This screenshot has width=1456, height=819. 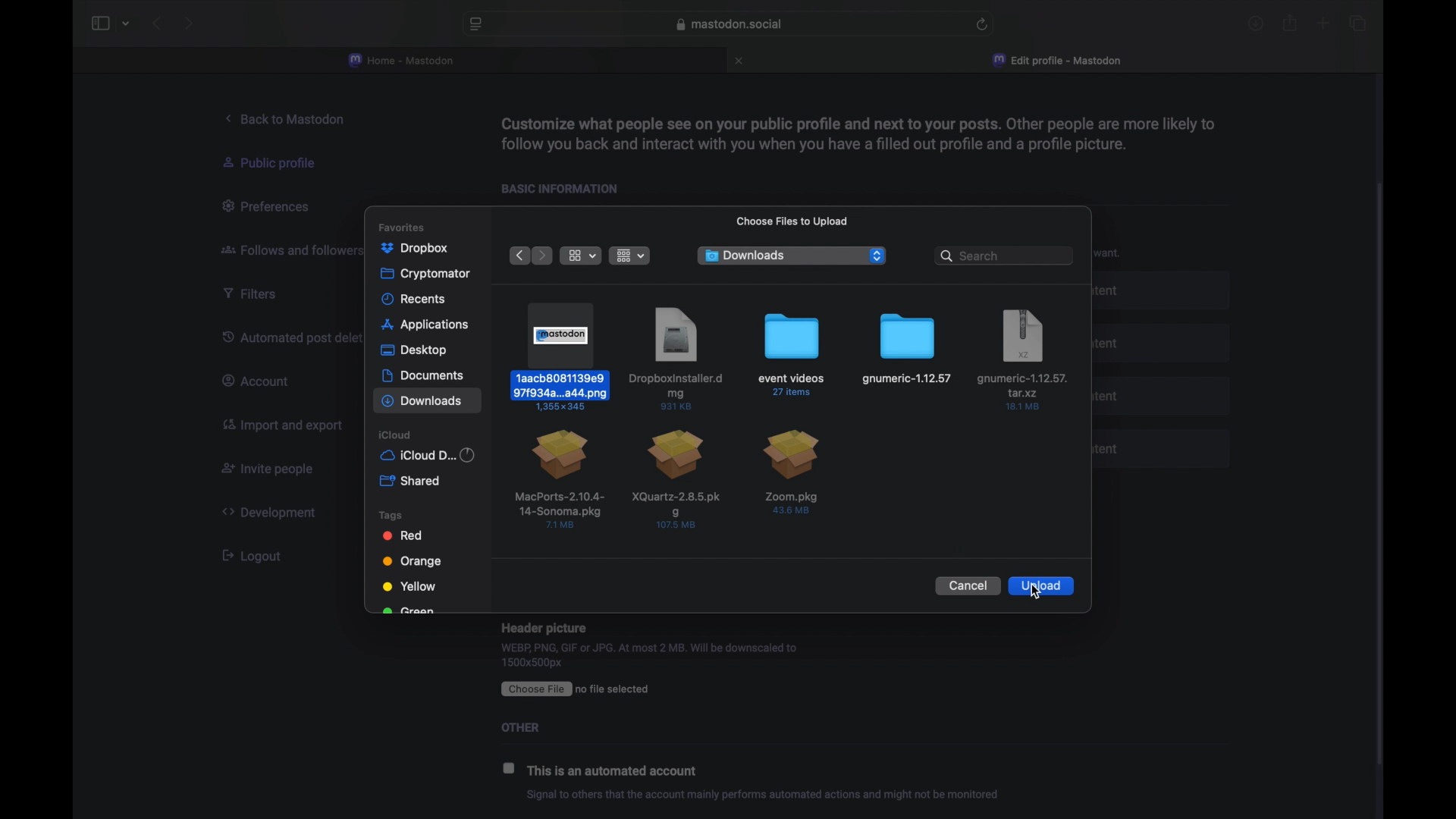 What do you see at coordinates (156, 24) in the screenshot?
I see `back` at bounding box center [156, 24].